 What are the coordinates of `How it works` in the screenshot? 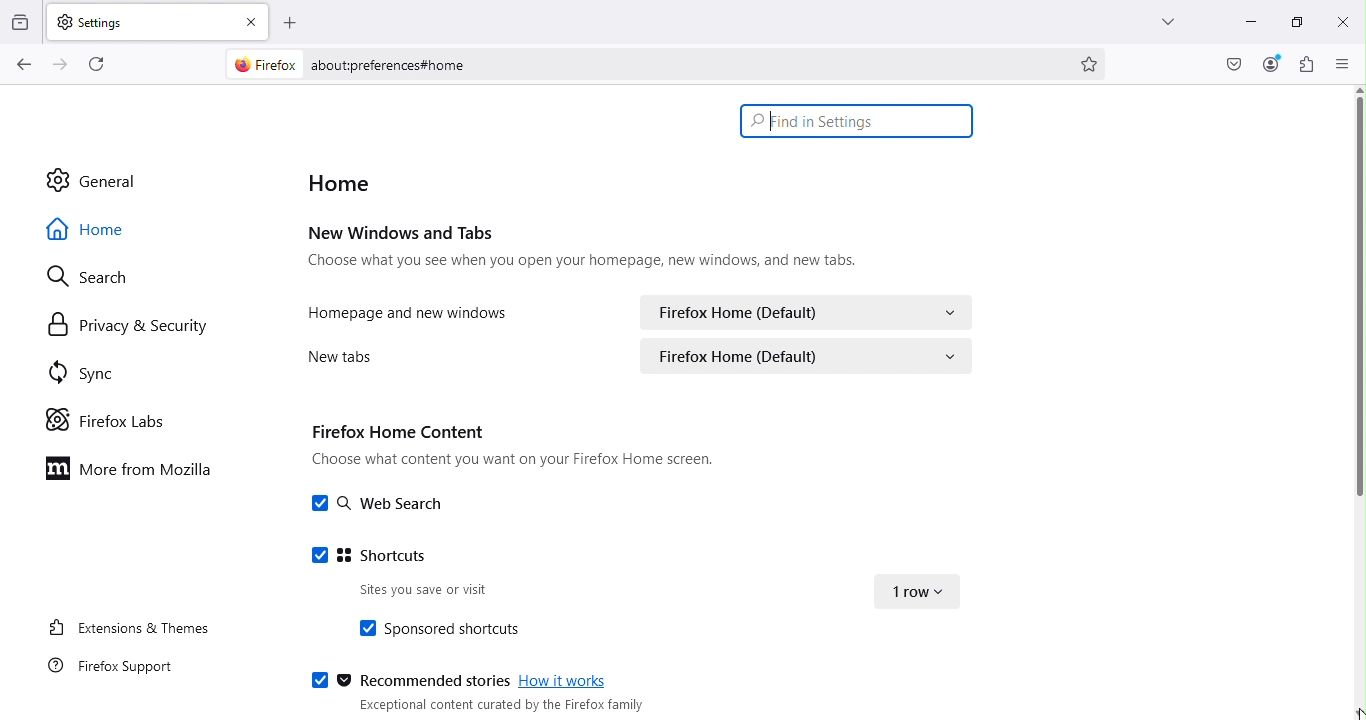 It's located at (567, 679).